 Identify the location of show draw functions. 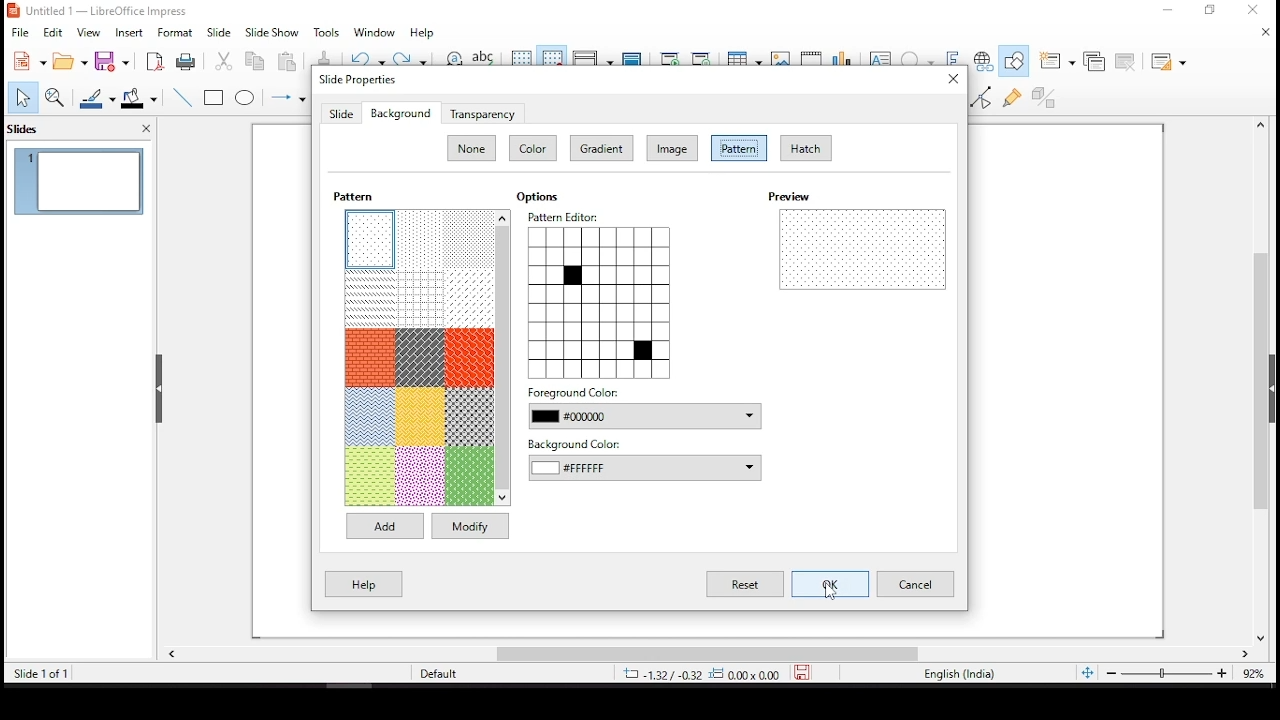
(1015, 59).